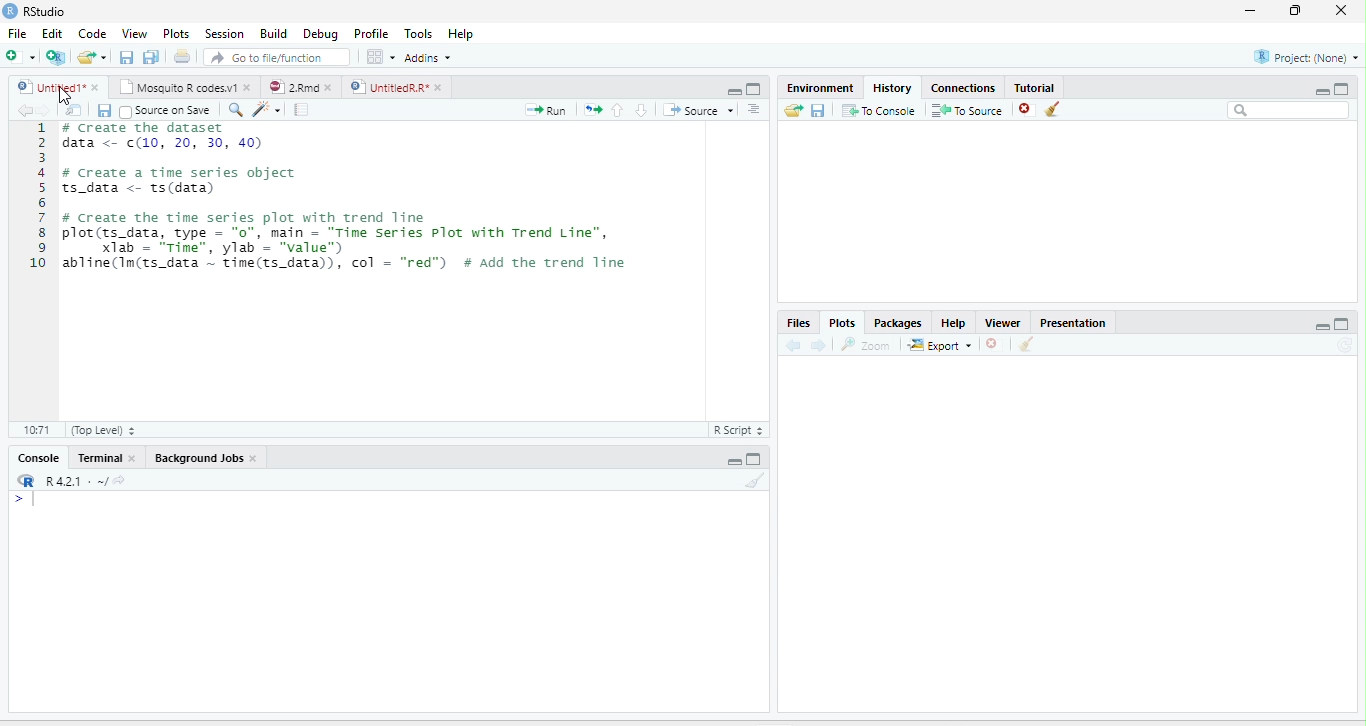  What do you see at coordinates (1053, 109) in the screenshot?
I see `Clear all history entries` at bounding box center [1053, 109].